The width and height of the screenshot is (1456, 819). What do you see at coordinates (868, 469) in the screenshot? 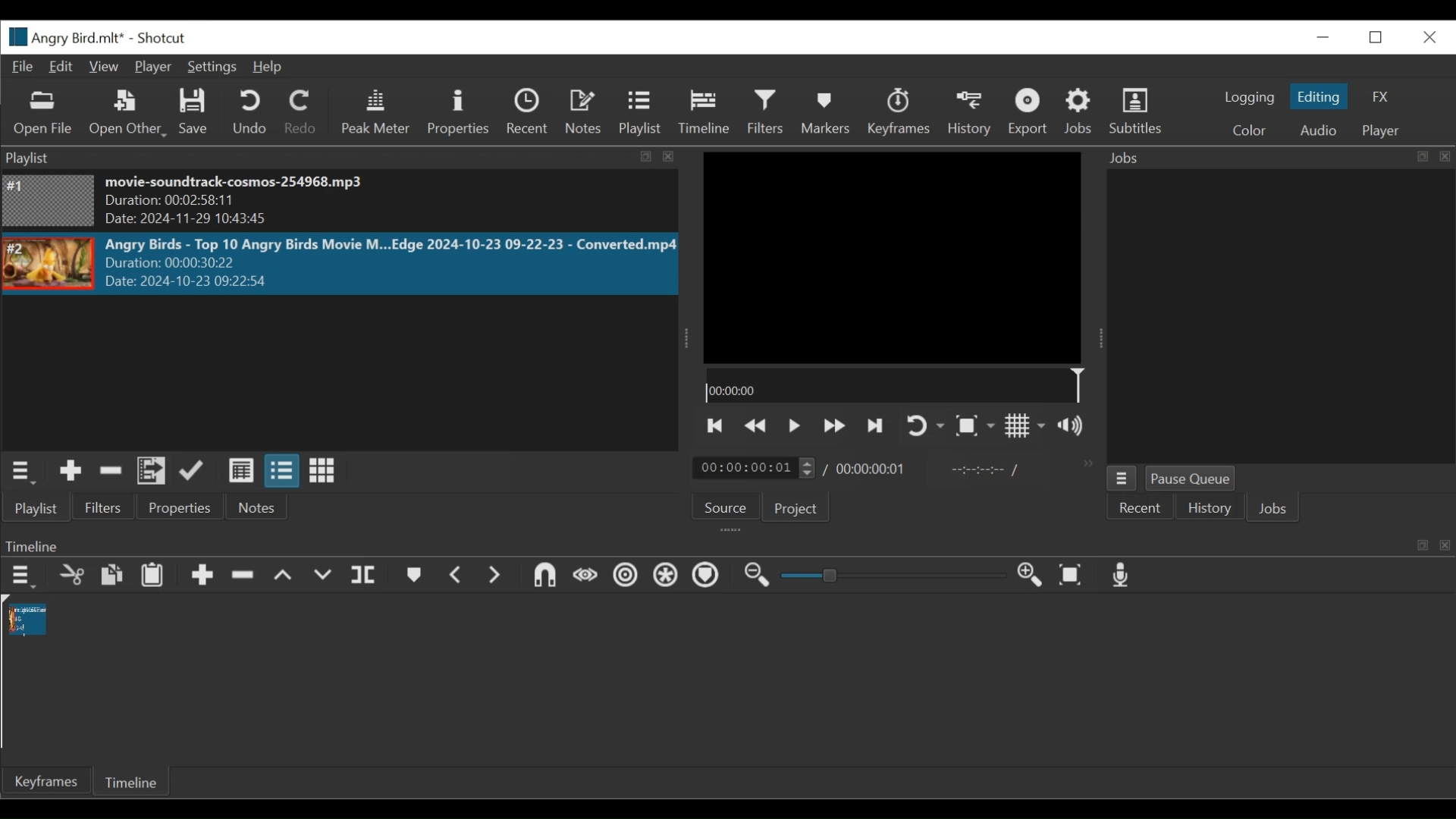
I see `00:00:00:01 (Total Duration)` at bounding box center [868, 469].